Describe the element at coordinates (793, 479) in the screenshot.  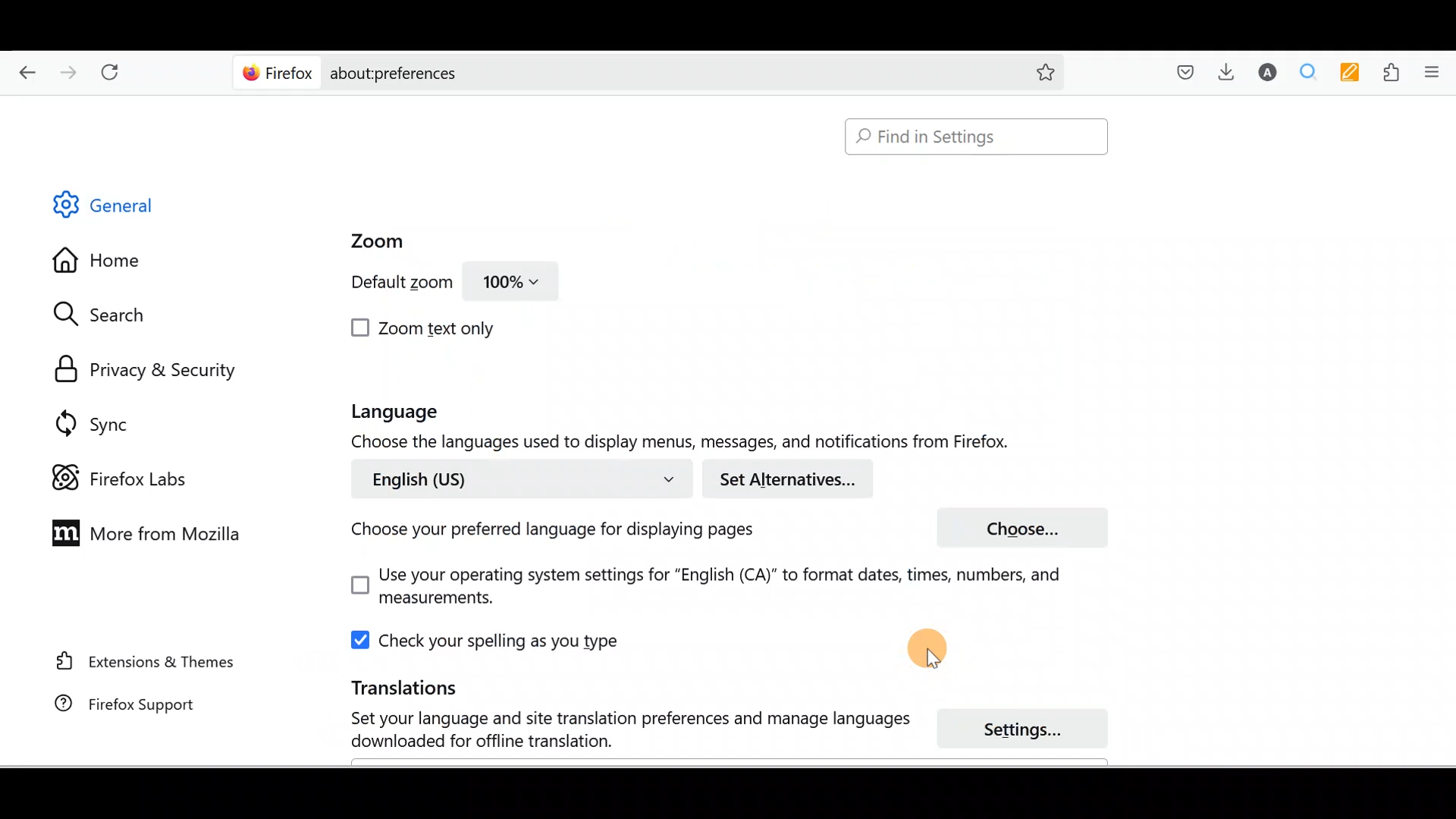
I see `Set alternatives` at that location.